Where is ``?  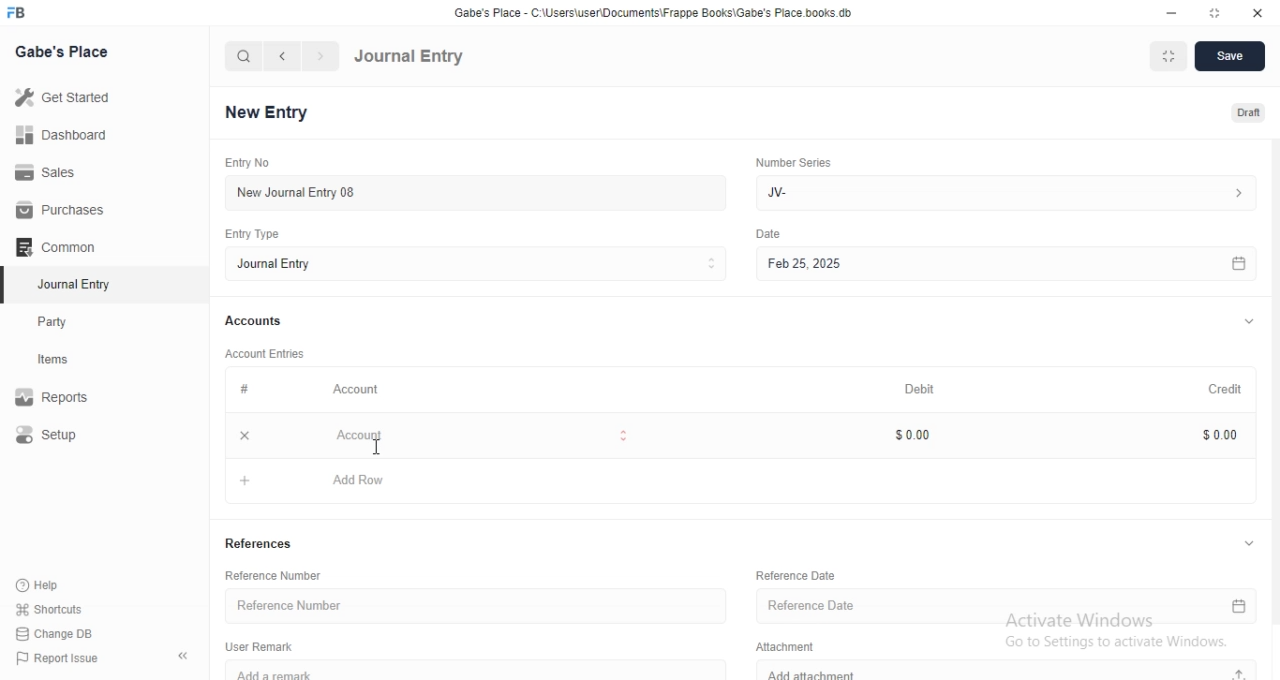
 is located at coordinates (768, 234).